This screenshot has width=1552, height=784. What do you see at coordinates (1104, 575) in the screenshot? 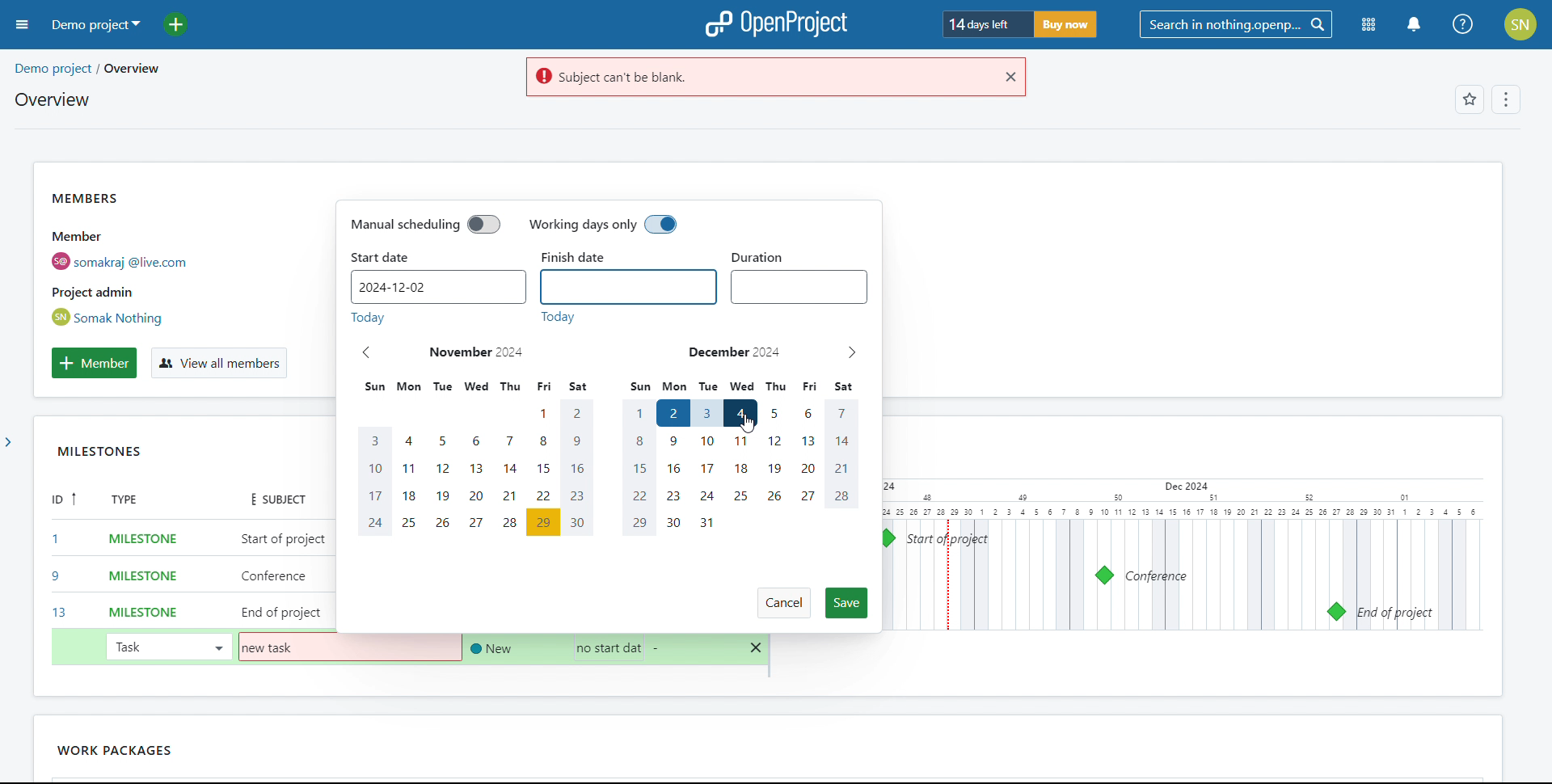
I see `milestone 9` at bounding box center [1104, 575].